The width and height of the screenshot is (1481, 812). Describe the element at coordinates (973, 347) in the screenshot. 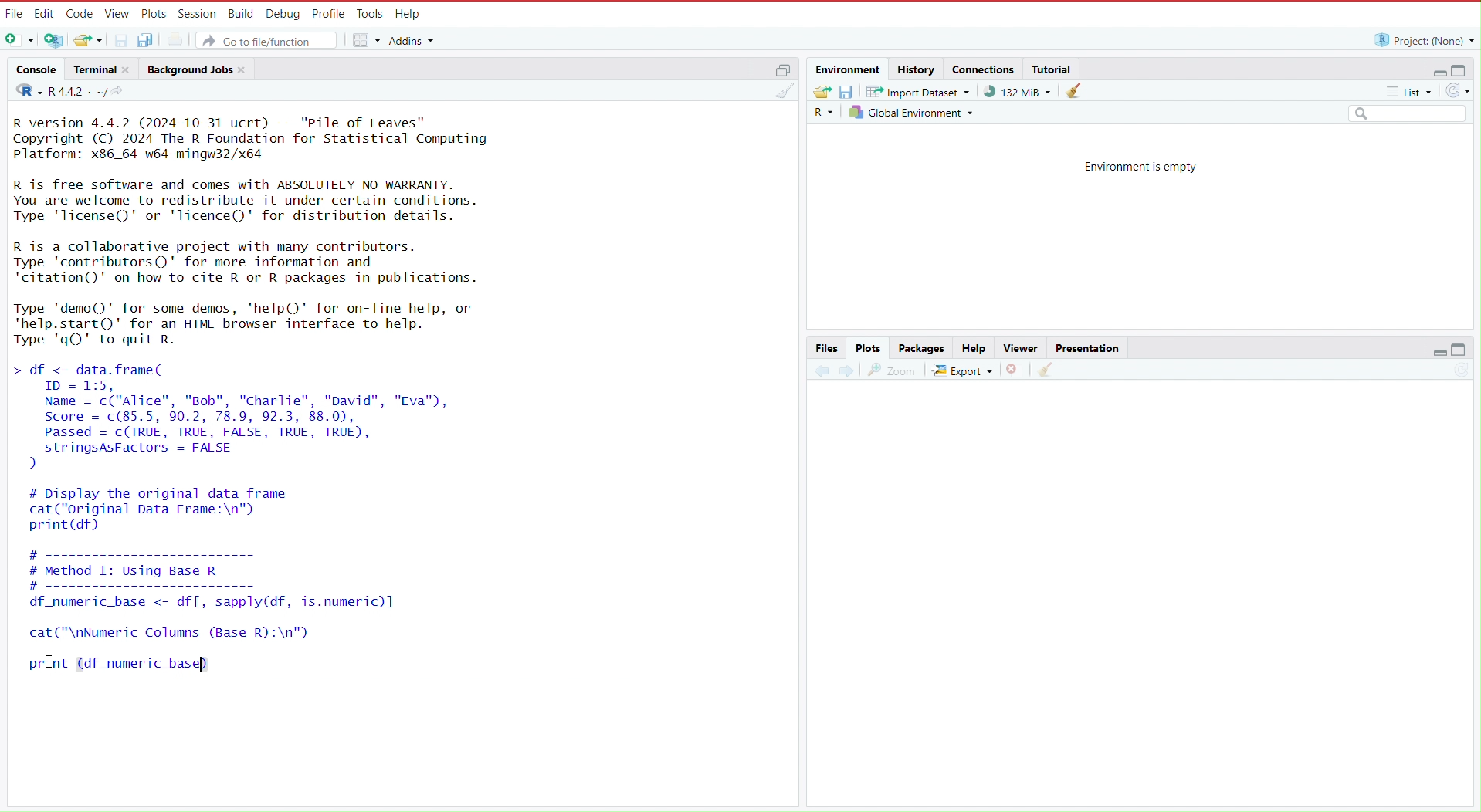

I see `Help` at that location.